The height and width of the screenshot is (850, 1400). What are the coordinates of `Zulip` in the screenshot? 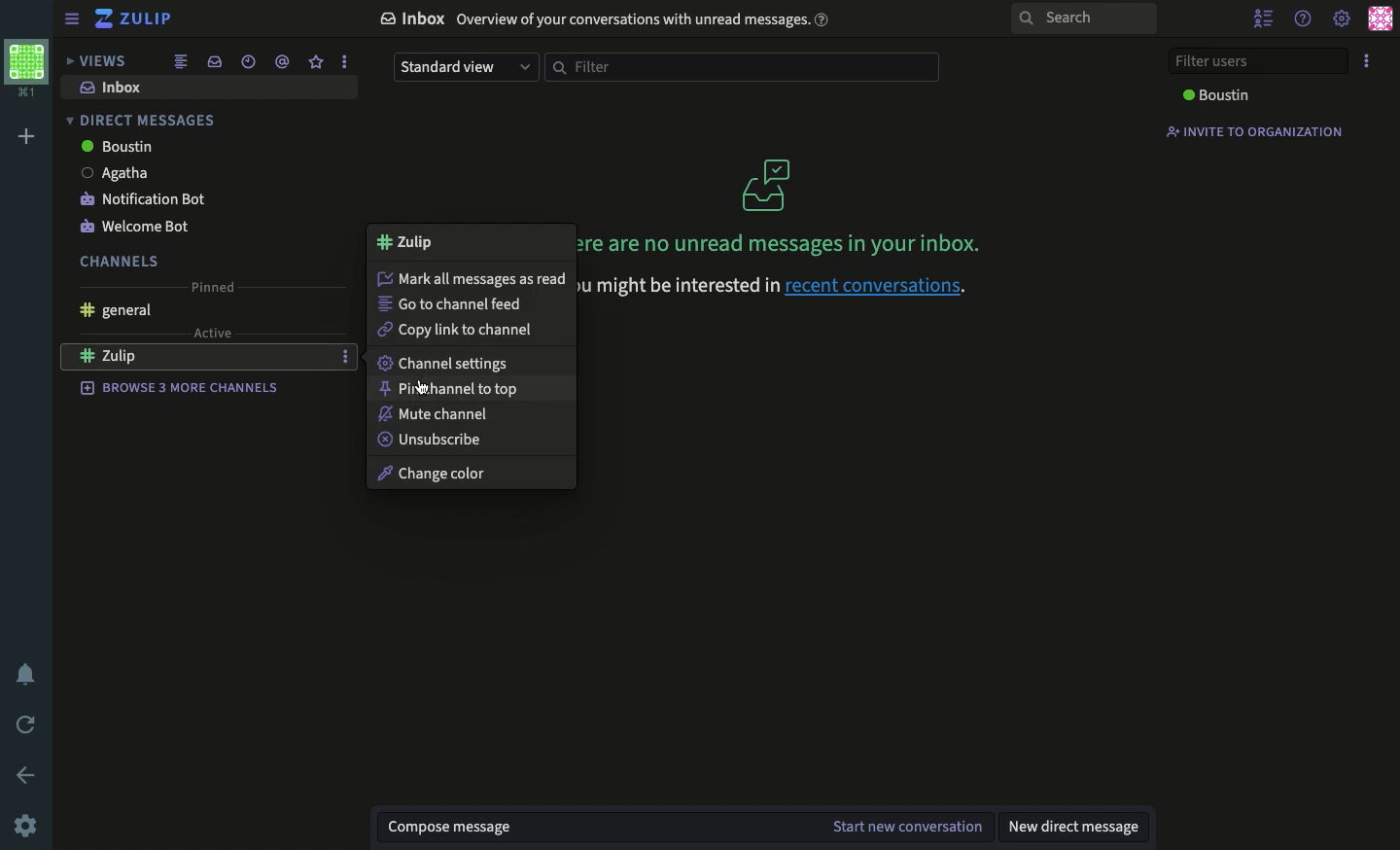 It's located at (407, 241).